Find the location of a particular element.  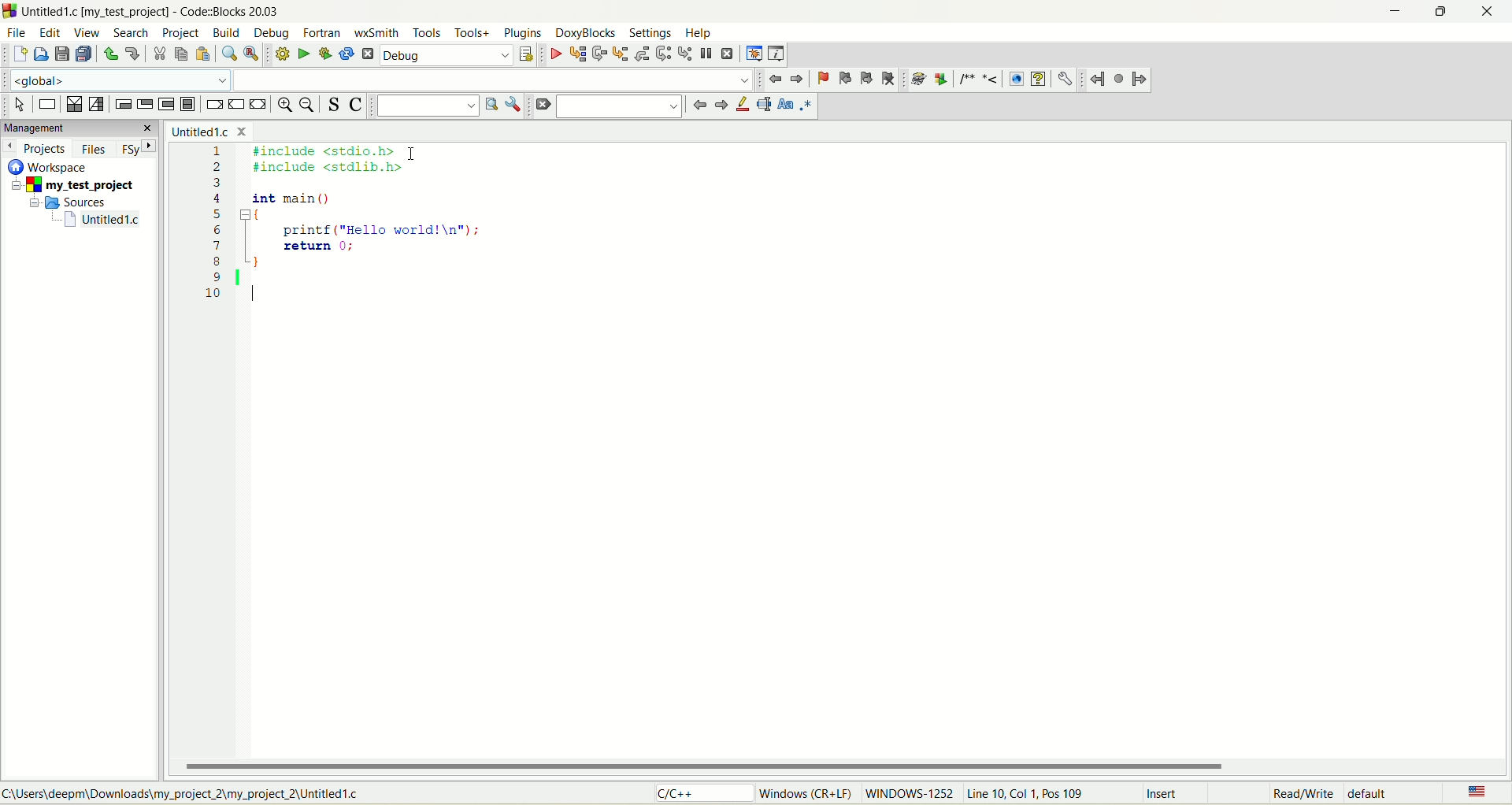

select is located at coordinates (20, 106).